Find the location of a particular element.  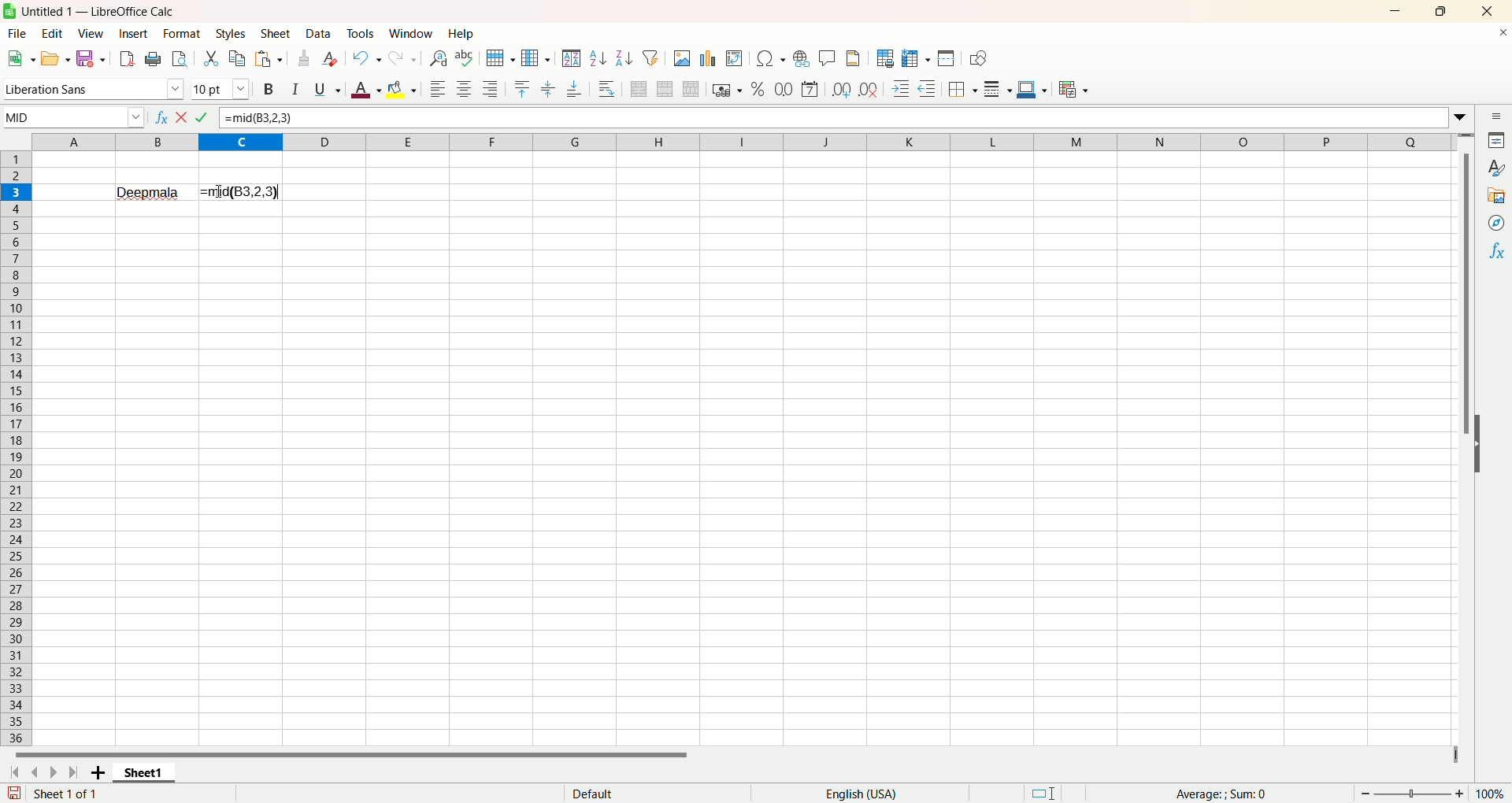

align right is located at coordinates (491, 88).